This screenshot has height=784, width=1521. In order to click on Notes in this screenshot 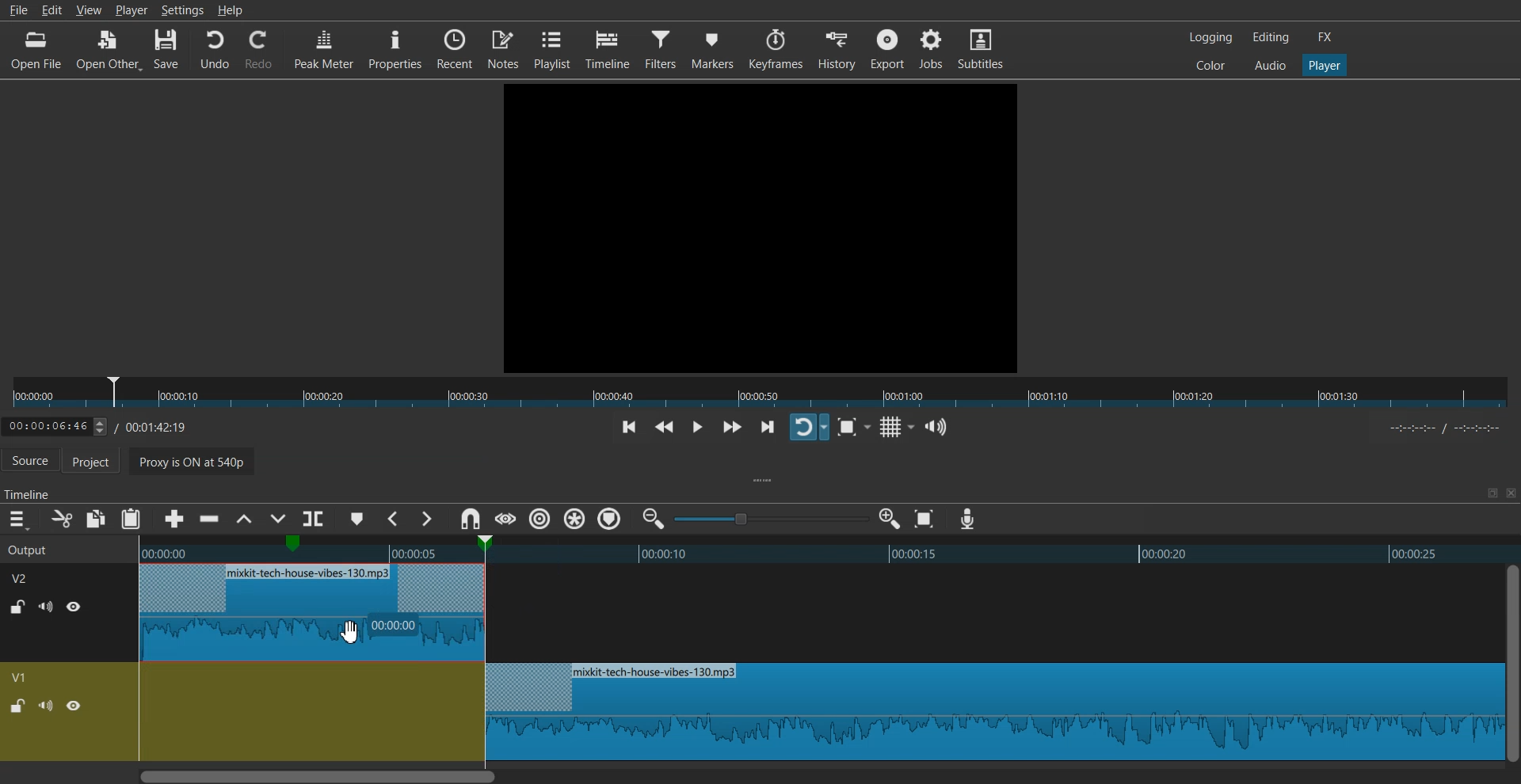, I will do `click(505, 48)`.